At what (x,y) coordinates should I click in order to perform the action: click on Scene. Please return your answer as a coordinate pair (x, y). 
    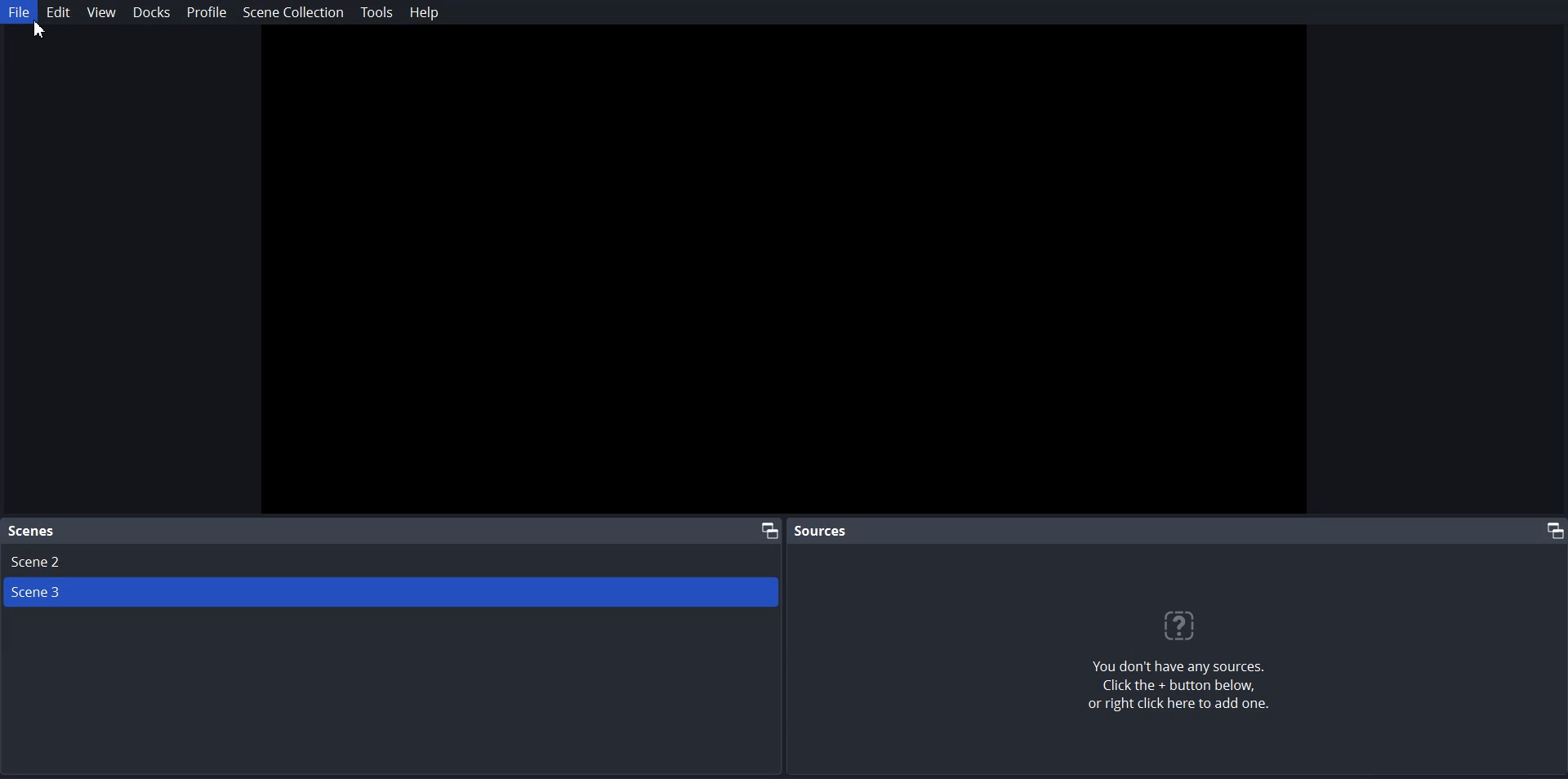
    Looking at the image, I should click on (33, 532).